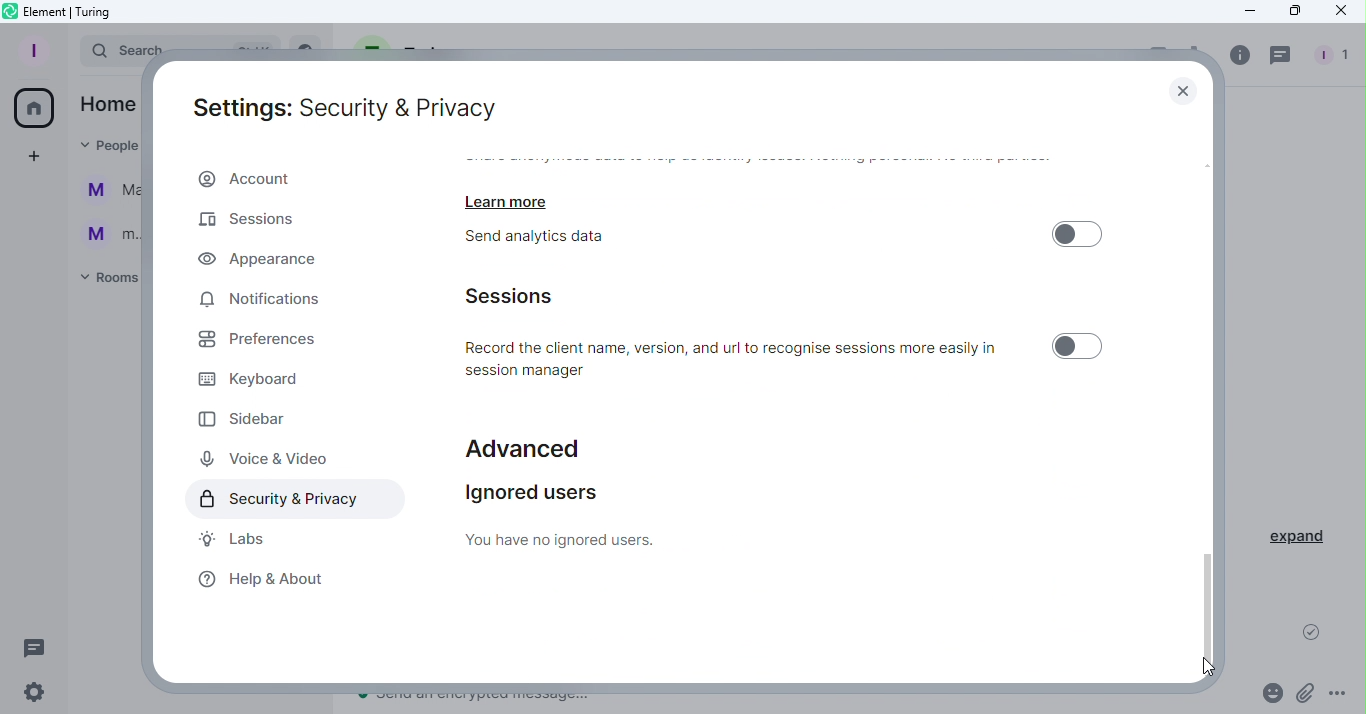  Describe the element at coordinates (1074, 346) in the screenshot. I see `Toggle` at that location.